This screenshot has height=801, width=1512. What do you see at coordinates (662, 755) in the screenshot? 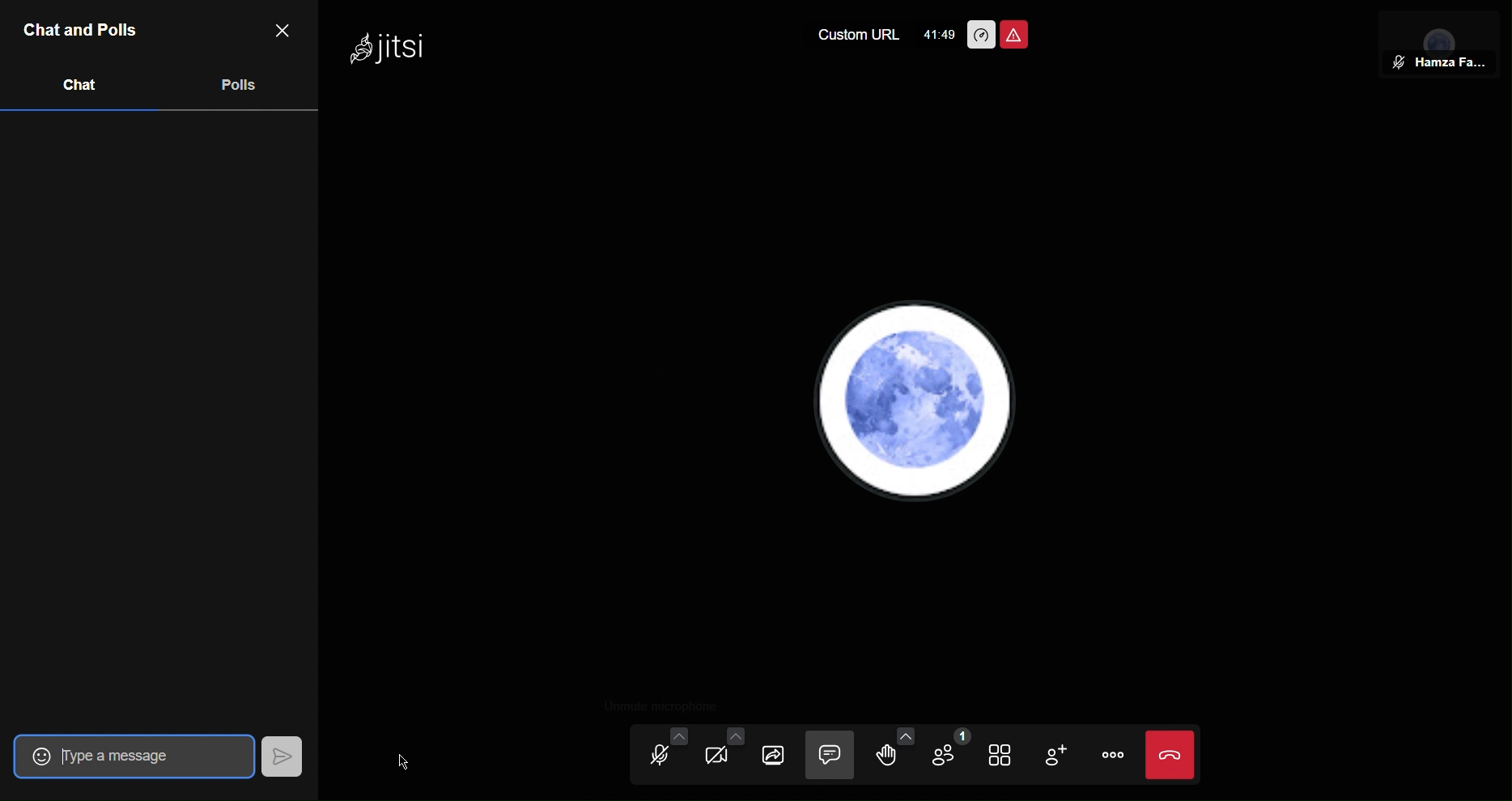
I see `Audio` at bounding box center [662, 755].